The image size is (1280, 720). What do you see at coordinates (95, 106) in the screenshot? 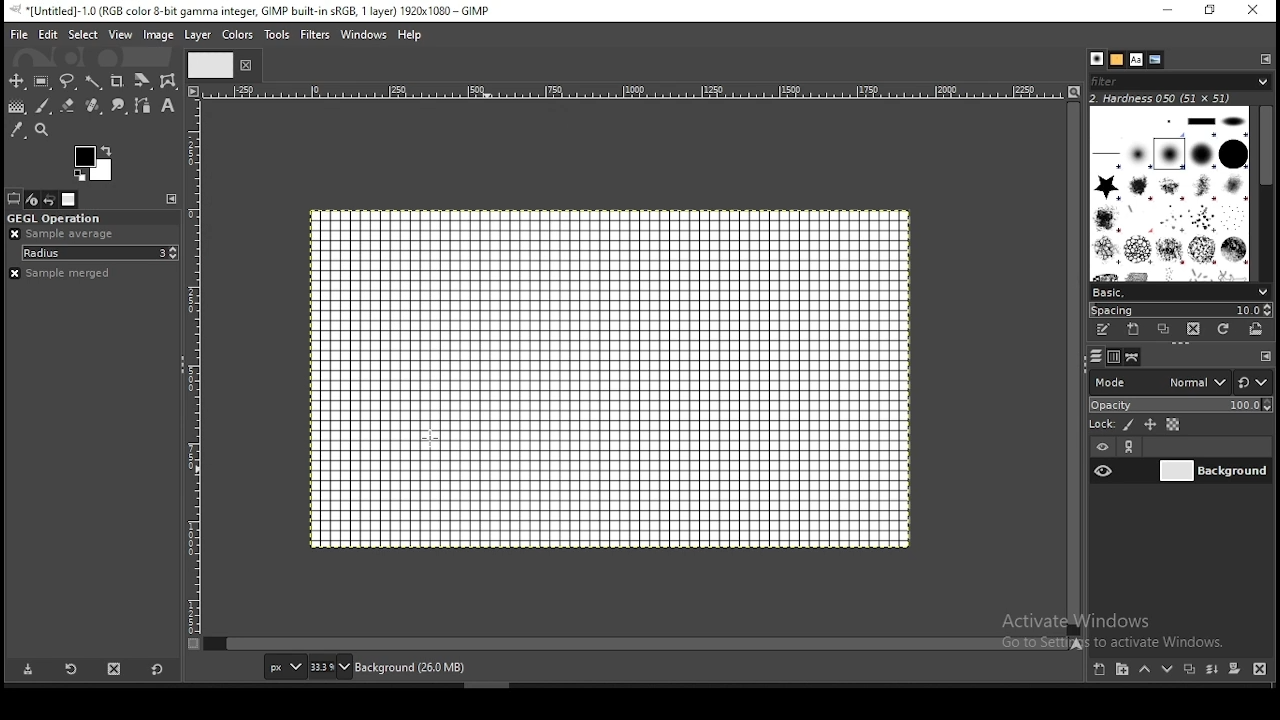
I see `eraser tool` at bounding box center [95, 106].